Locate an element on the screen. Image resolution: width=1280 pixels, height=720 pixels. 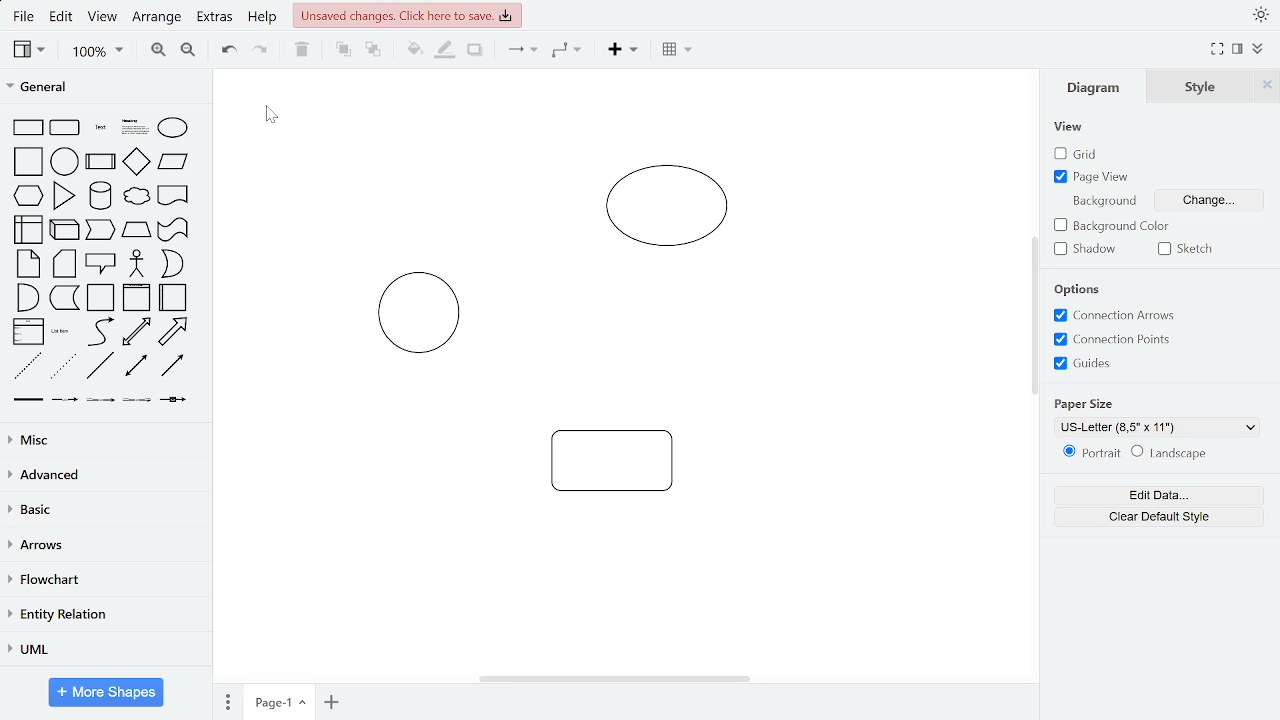
connection arrows is located at coordinates (1114, 315).